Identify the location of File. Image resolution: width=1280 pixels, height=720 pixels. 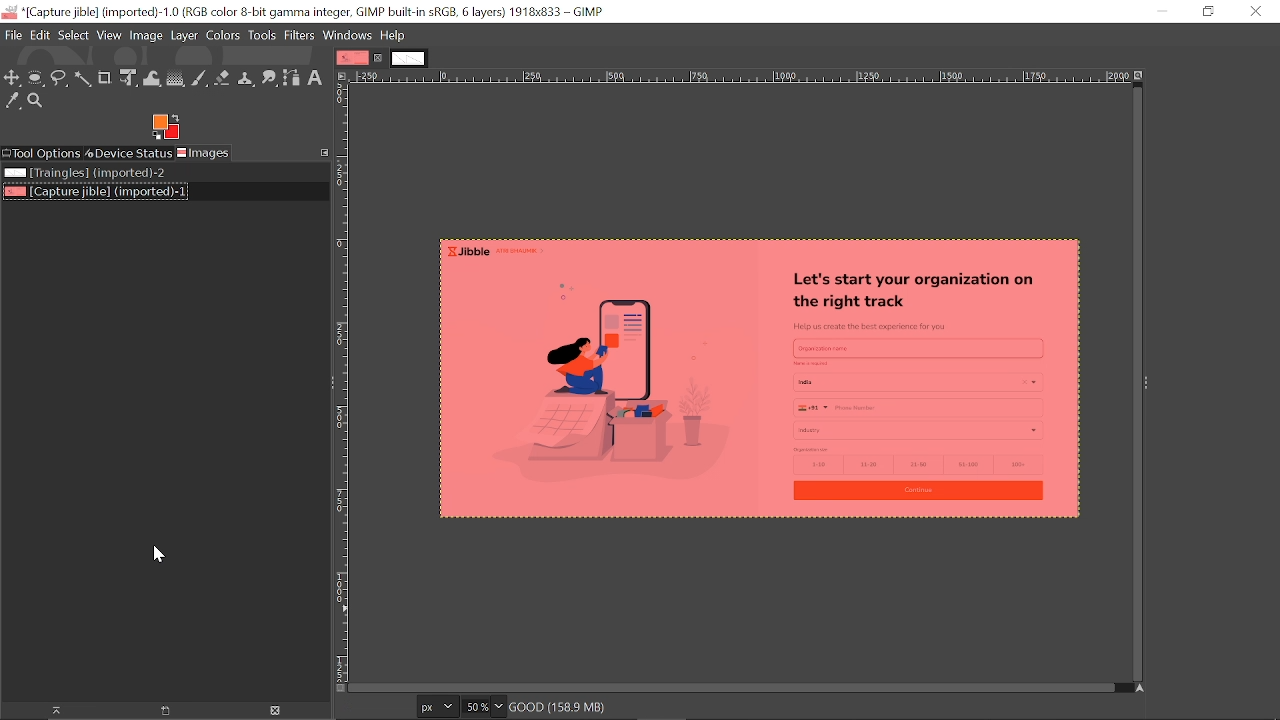
(11, 34).